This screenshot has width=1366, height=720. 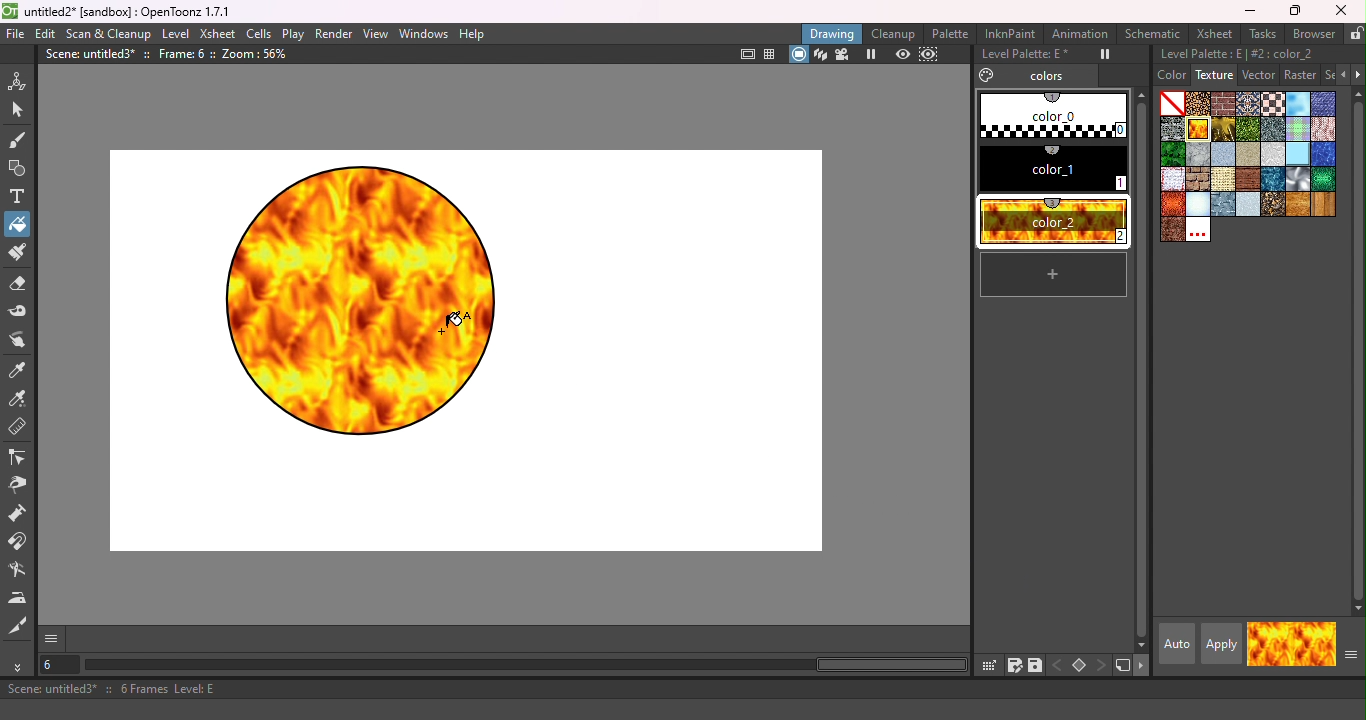 What do you see at coordinates (1224, 205) in the screenshot?
I see `steelplates.bmp` at bounding box center [1224, 205].